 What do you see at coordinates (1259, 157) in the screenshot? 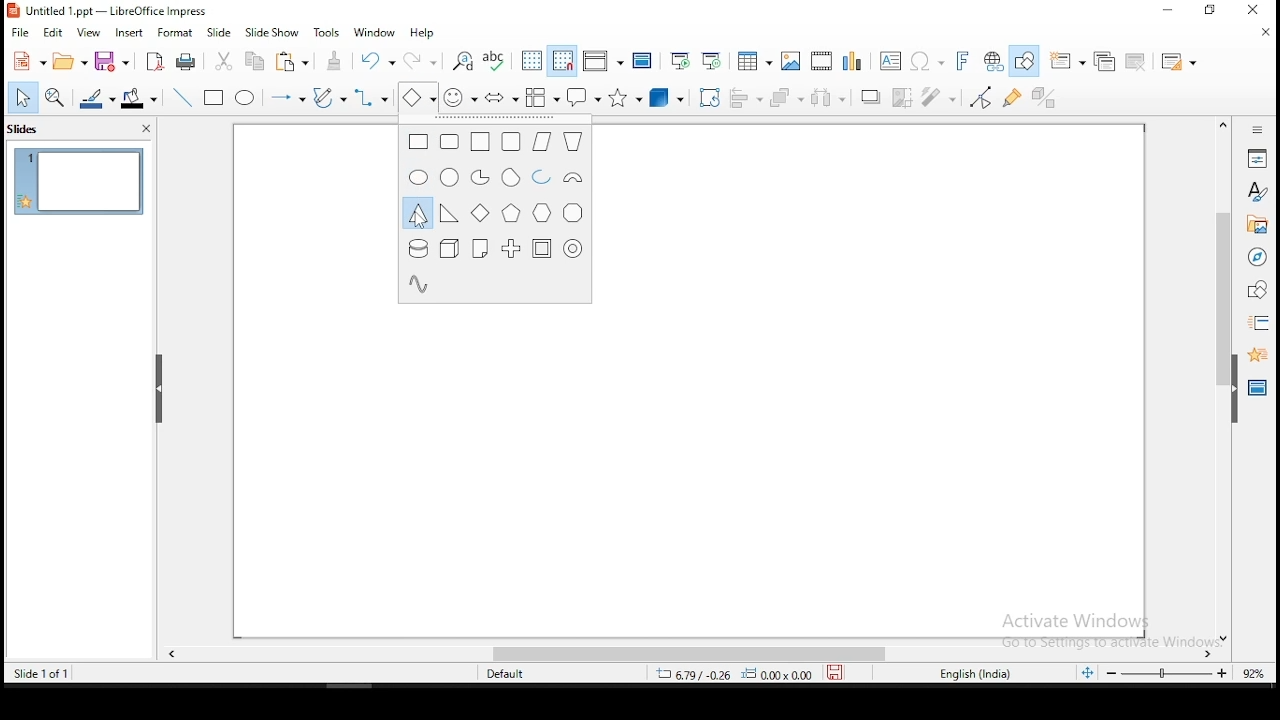
I see `properties` at bounding box center [1259, 157].